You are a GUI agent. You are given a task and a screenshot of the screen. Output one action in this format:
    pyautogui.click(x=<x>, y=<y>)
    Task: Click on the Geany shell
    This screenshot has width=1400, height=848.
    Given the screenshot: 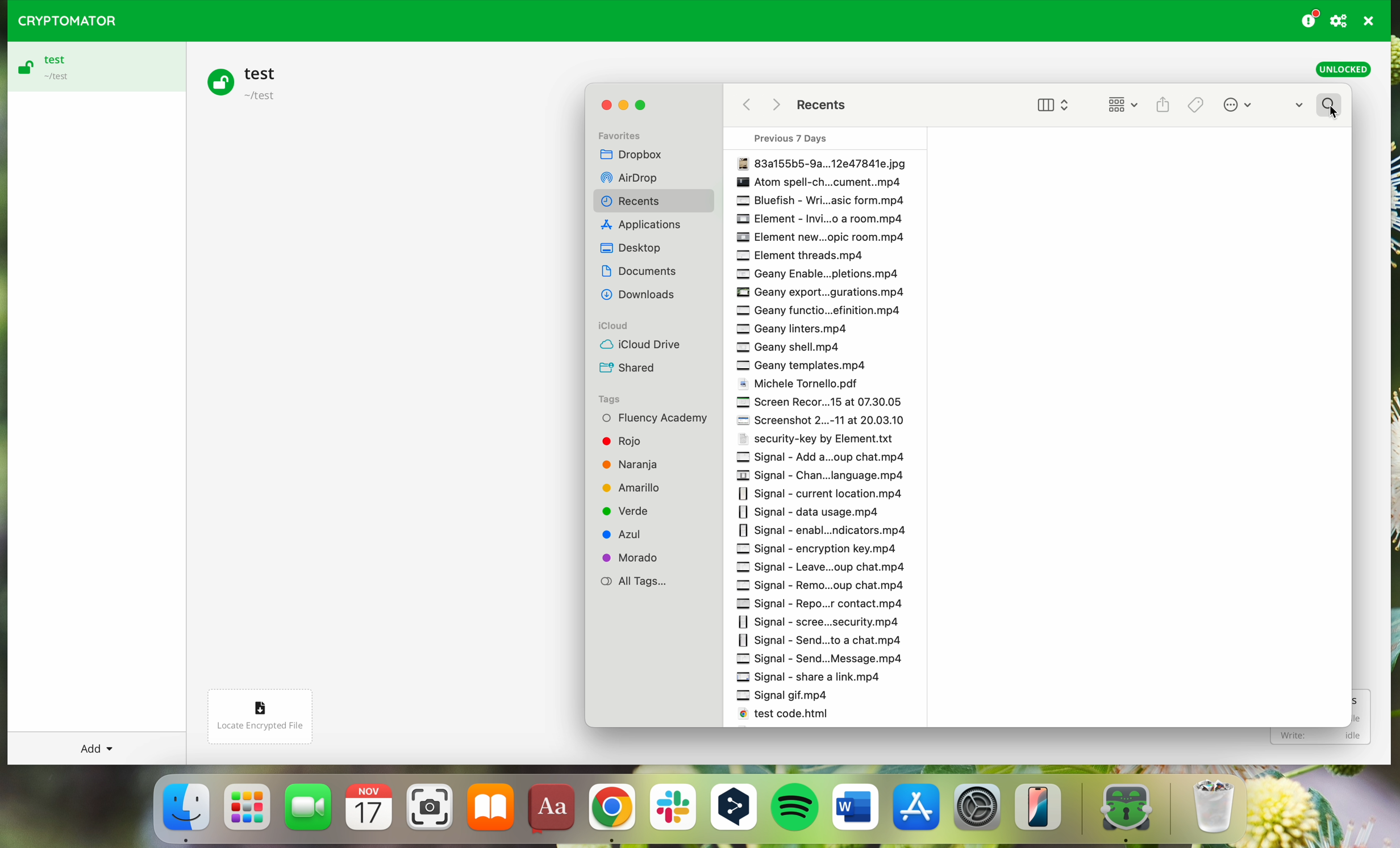 What is the action you would take?
    pyautogui.click(x=795, y=348)
    